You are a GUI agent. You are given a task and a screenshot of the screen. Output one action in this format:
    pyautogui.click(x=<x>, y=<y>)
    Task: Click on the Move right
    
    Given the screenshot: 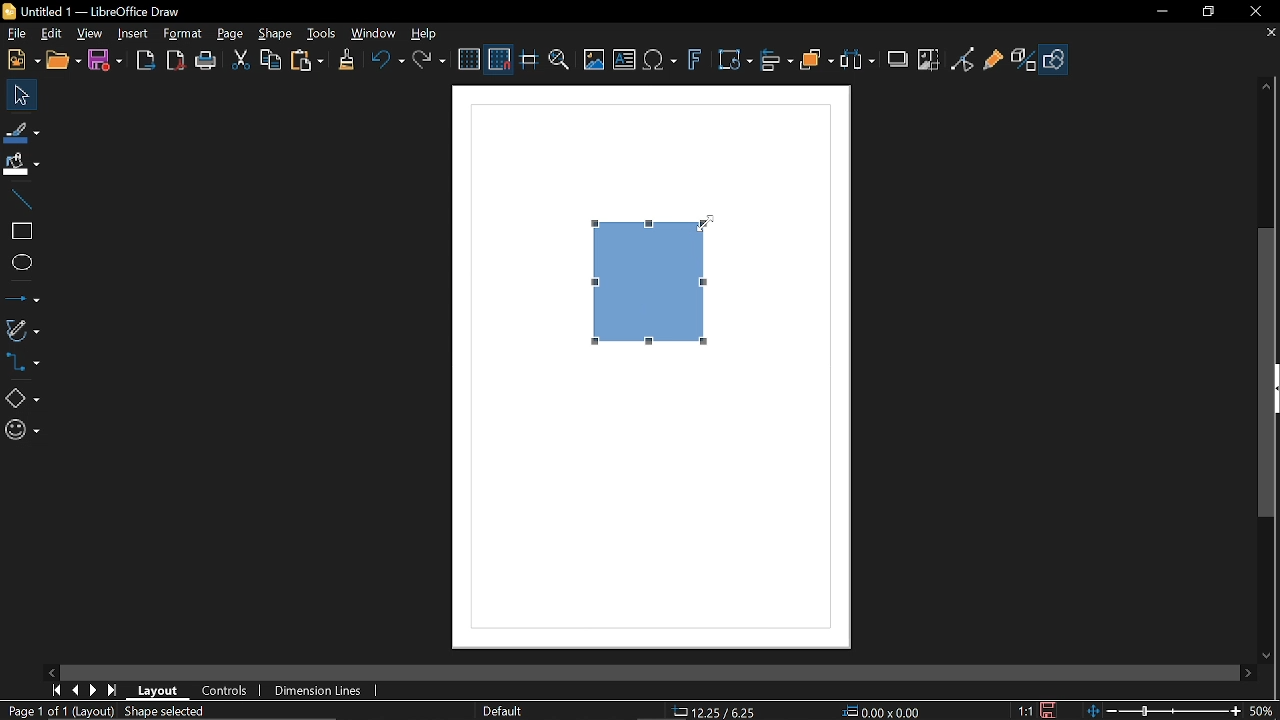 What is the action you would take?
    pyautogui.click(x=1248, y=672)
    